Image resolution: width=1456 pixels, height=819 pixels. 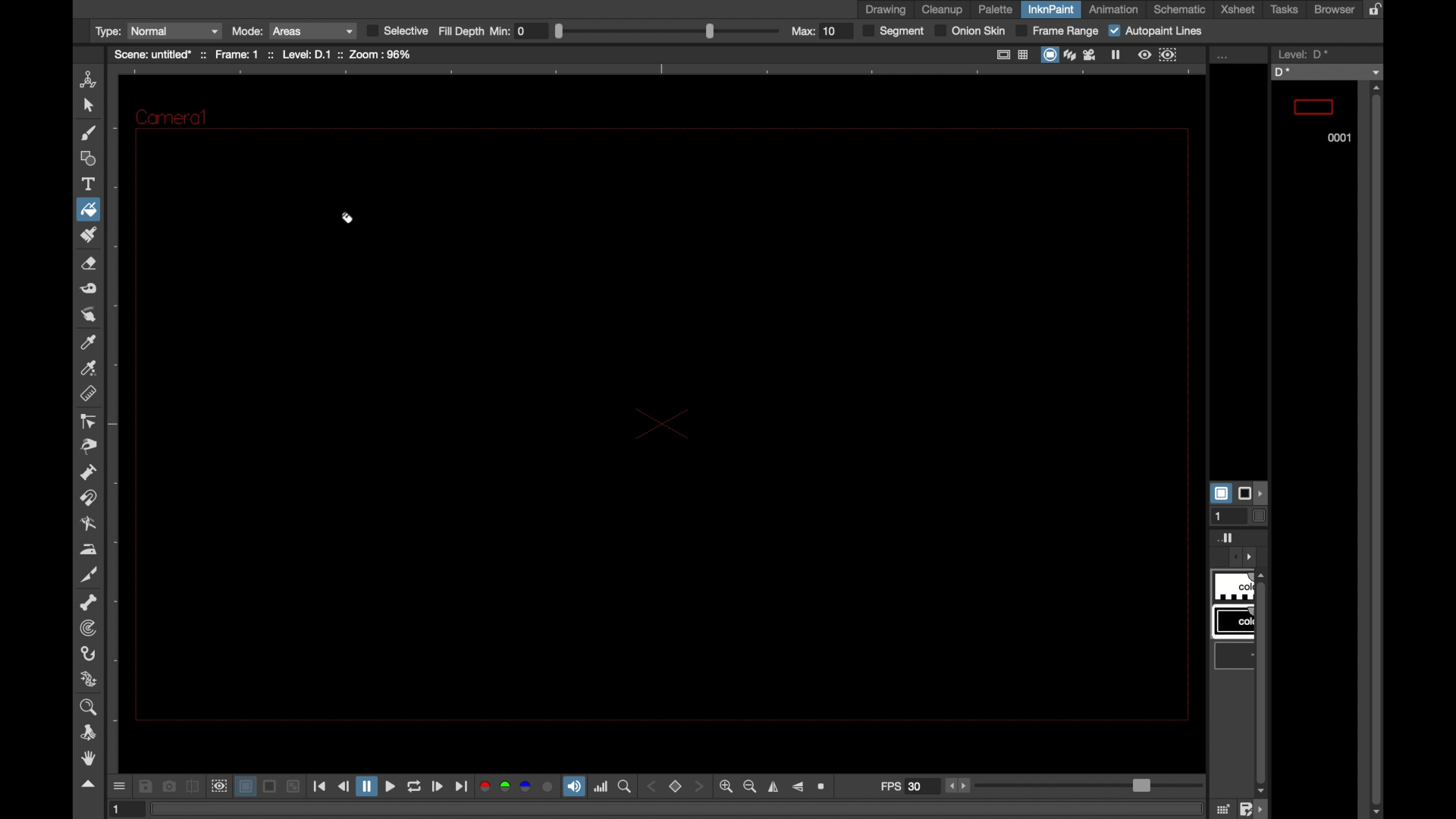 What do you see at coordinates (1087, 786) in the screenshot?
I see `slider` at bounding box center [1087, 786].